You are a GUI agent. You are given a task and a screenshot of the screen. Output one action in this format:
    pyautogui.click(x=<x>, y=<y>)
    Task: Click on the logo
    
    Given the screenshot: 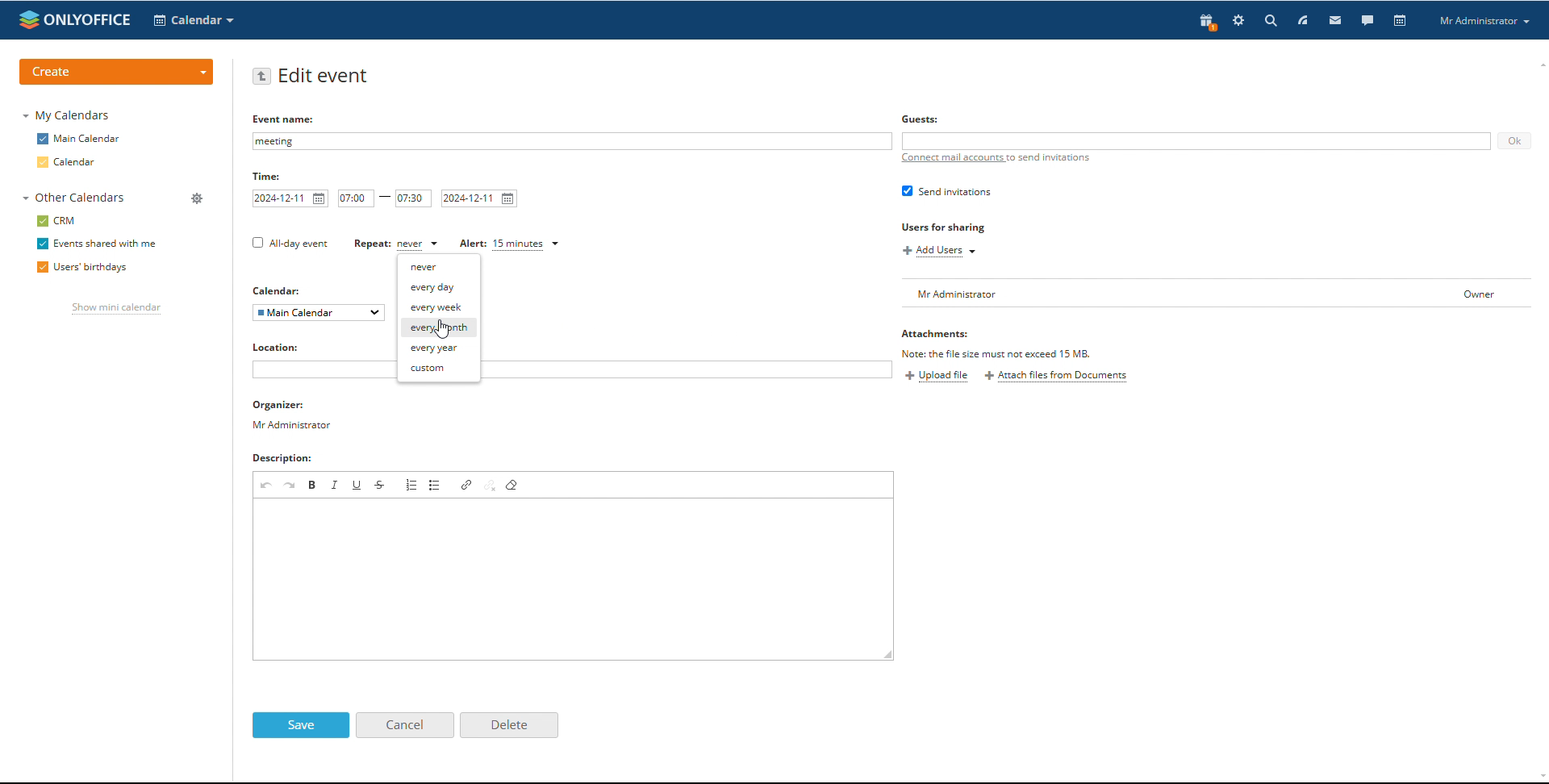 What is the action you would take?
    pyautogui.click(x=73, y=19)
    